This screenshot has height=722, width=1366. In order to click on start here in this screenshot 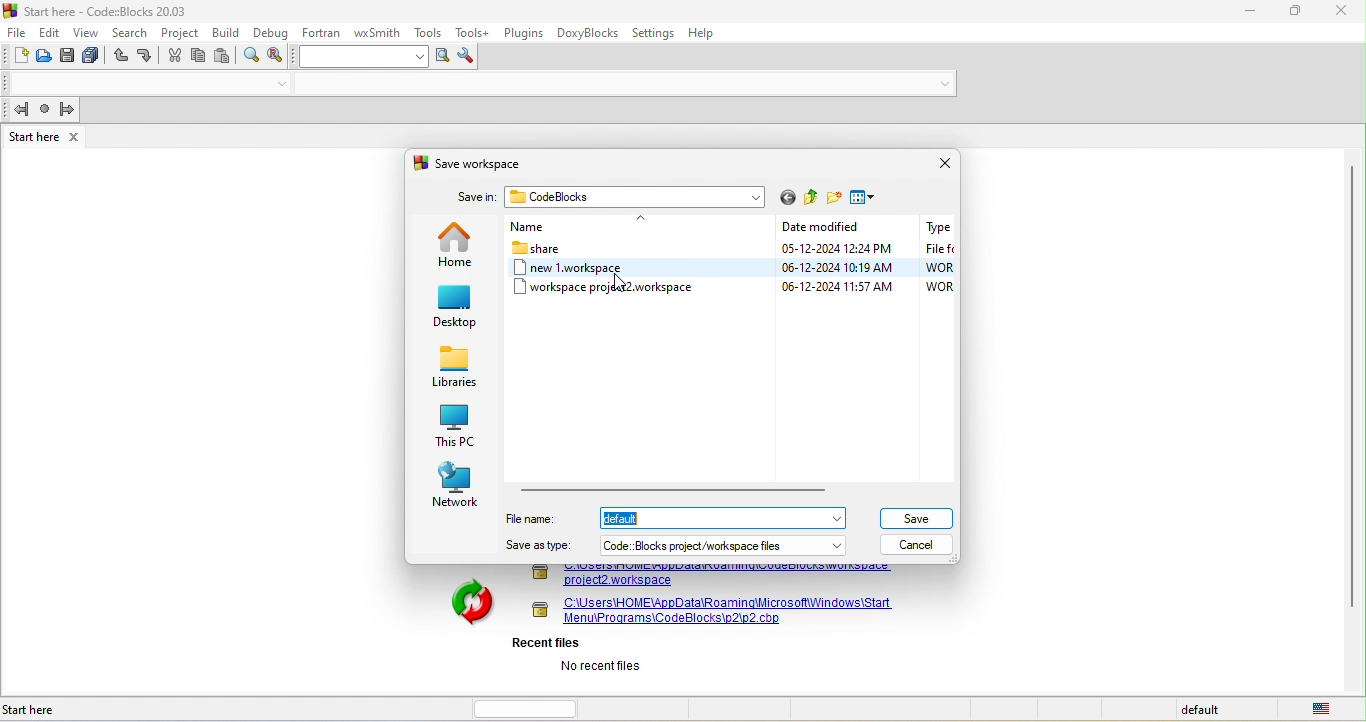, I will do `click(46, 136)`.